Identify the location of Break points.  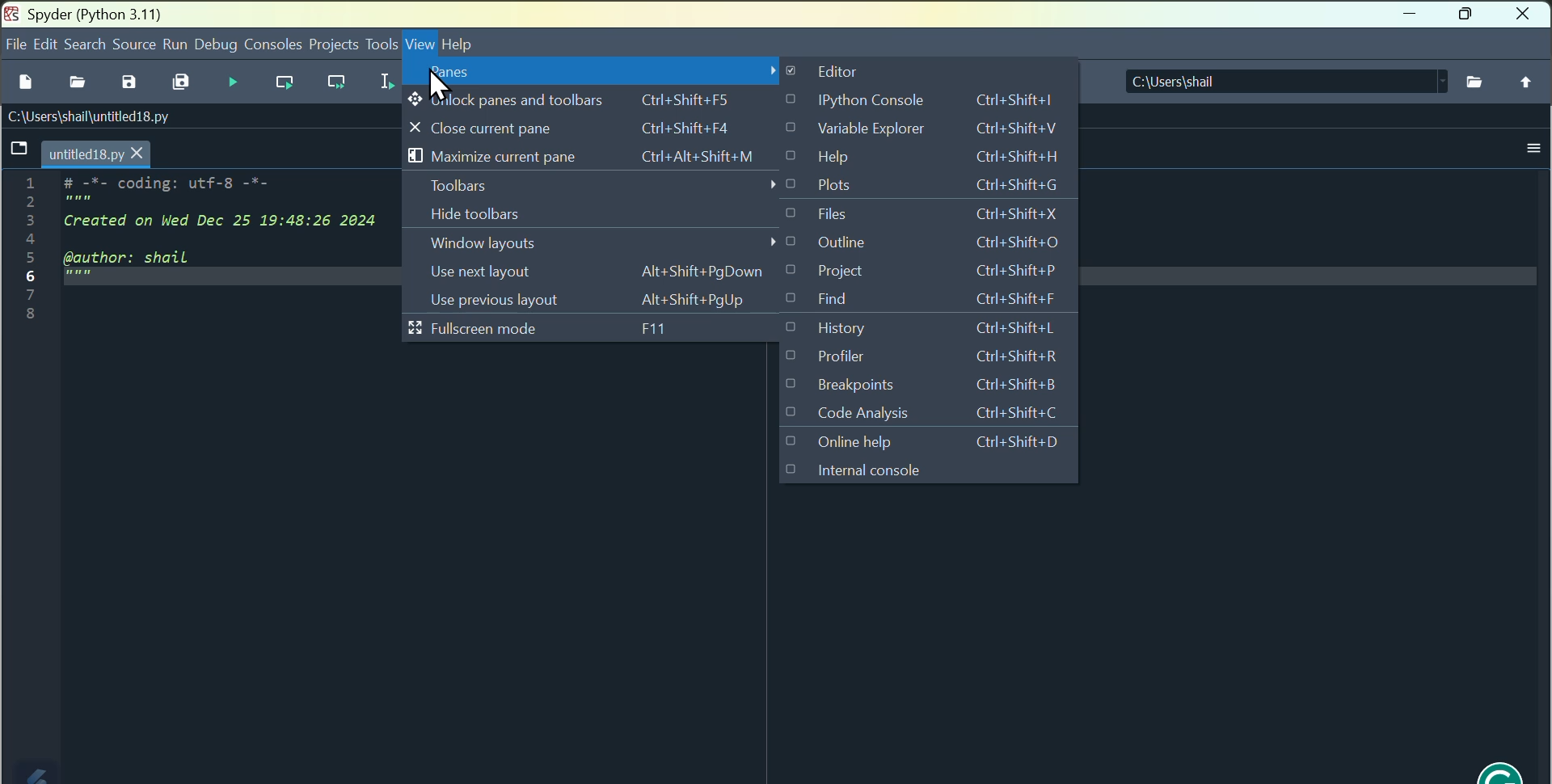
(930, 386).